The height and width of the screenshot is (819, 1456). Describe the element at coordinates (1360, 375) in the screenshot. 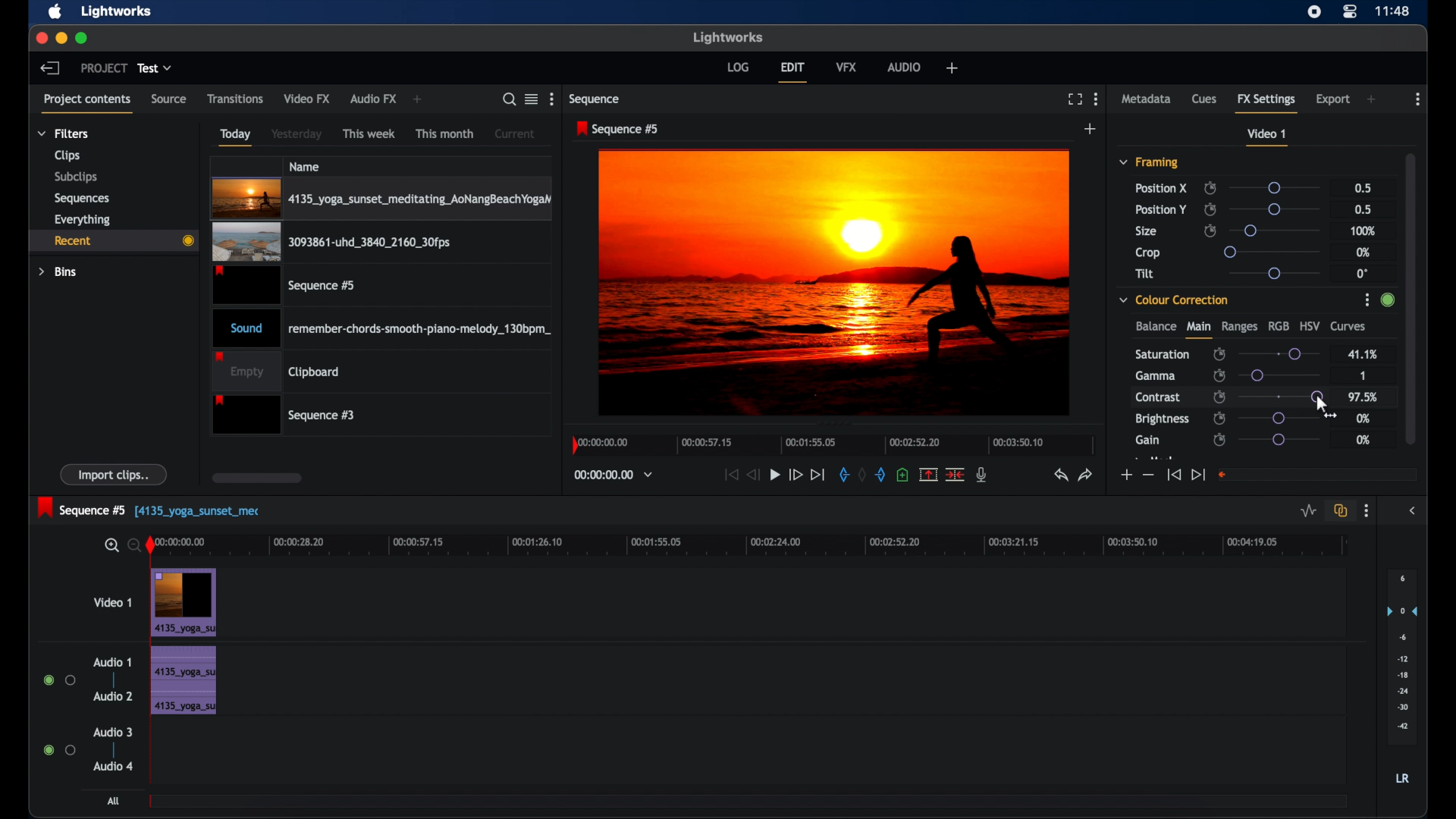

I see `1` at that location.